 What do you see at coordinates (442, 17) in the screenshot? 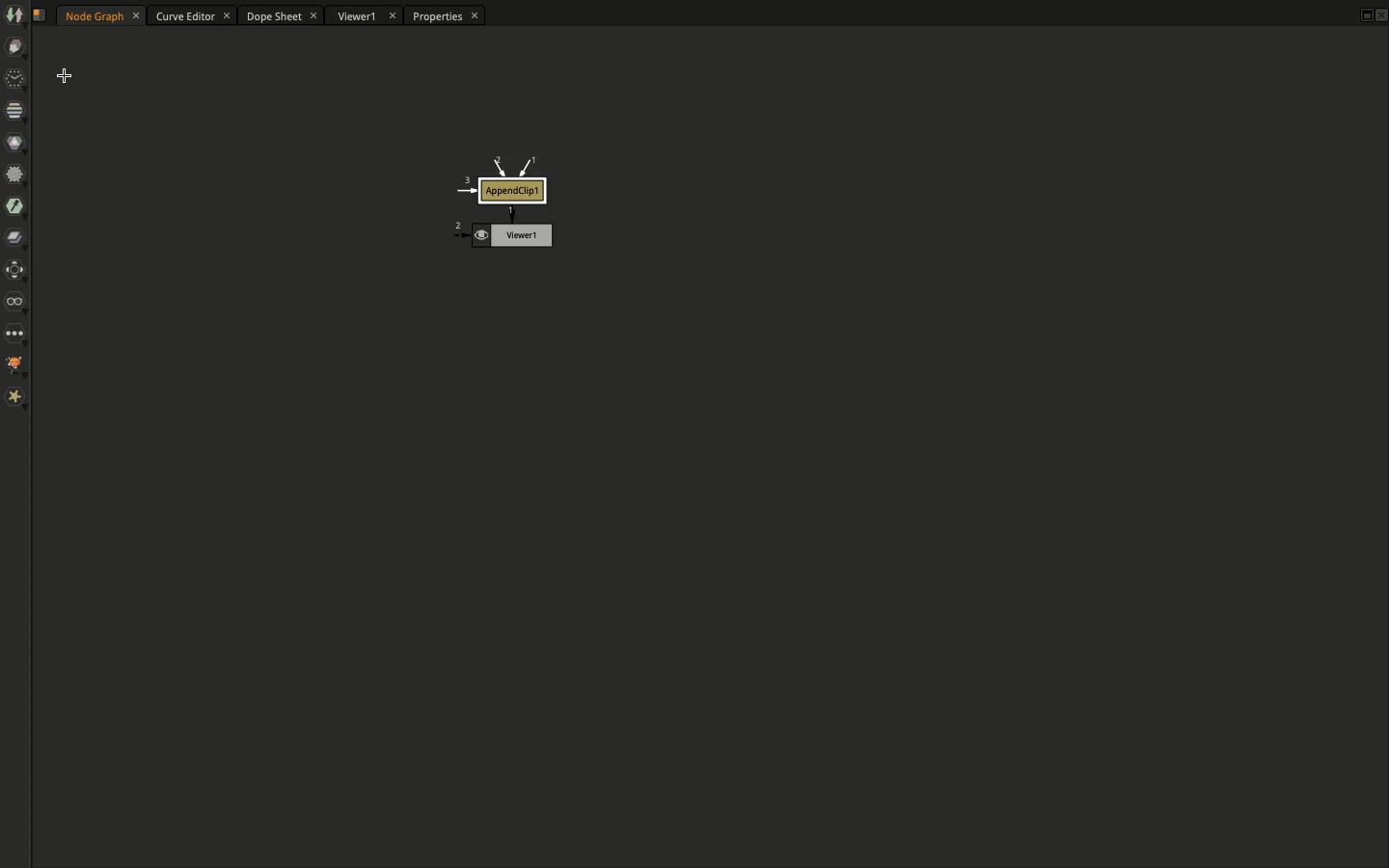
I see `Properties` at bounding box center [442, 17].